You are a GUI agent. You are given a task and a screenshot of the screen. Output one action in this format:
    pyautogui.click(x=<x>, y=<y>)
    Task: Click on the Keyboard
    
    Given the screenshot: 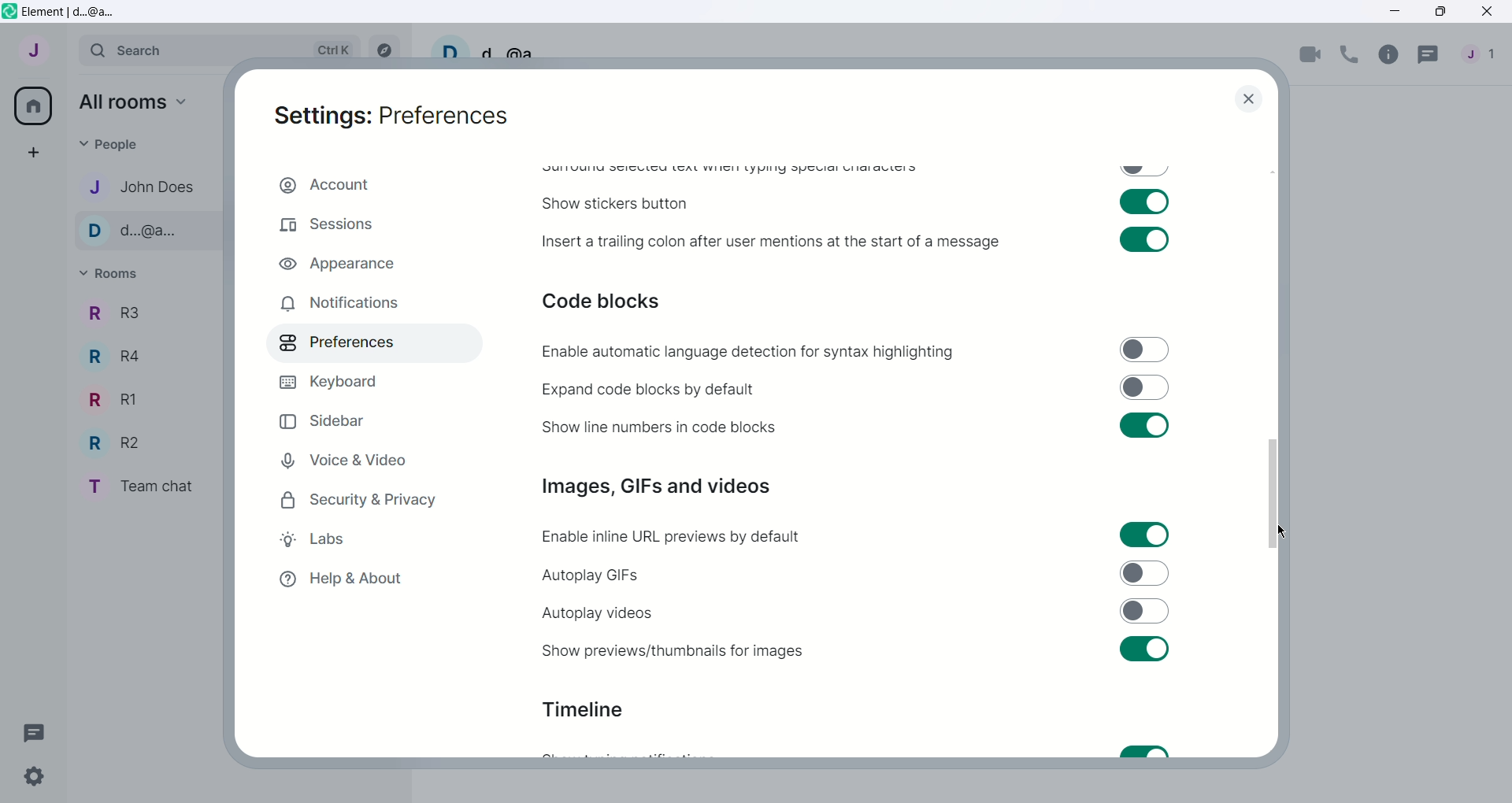 What is the action you would take?
    pyautogui.click(x=351, y=382)
    